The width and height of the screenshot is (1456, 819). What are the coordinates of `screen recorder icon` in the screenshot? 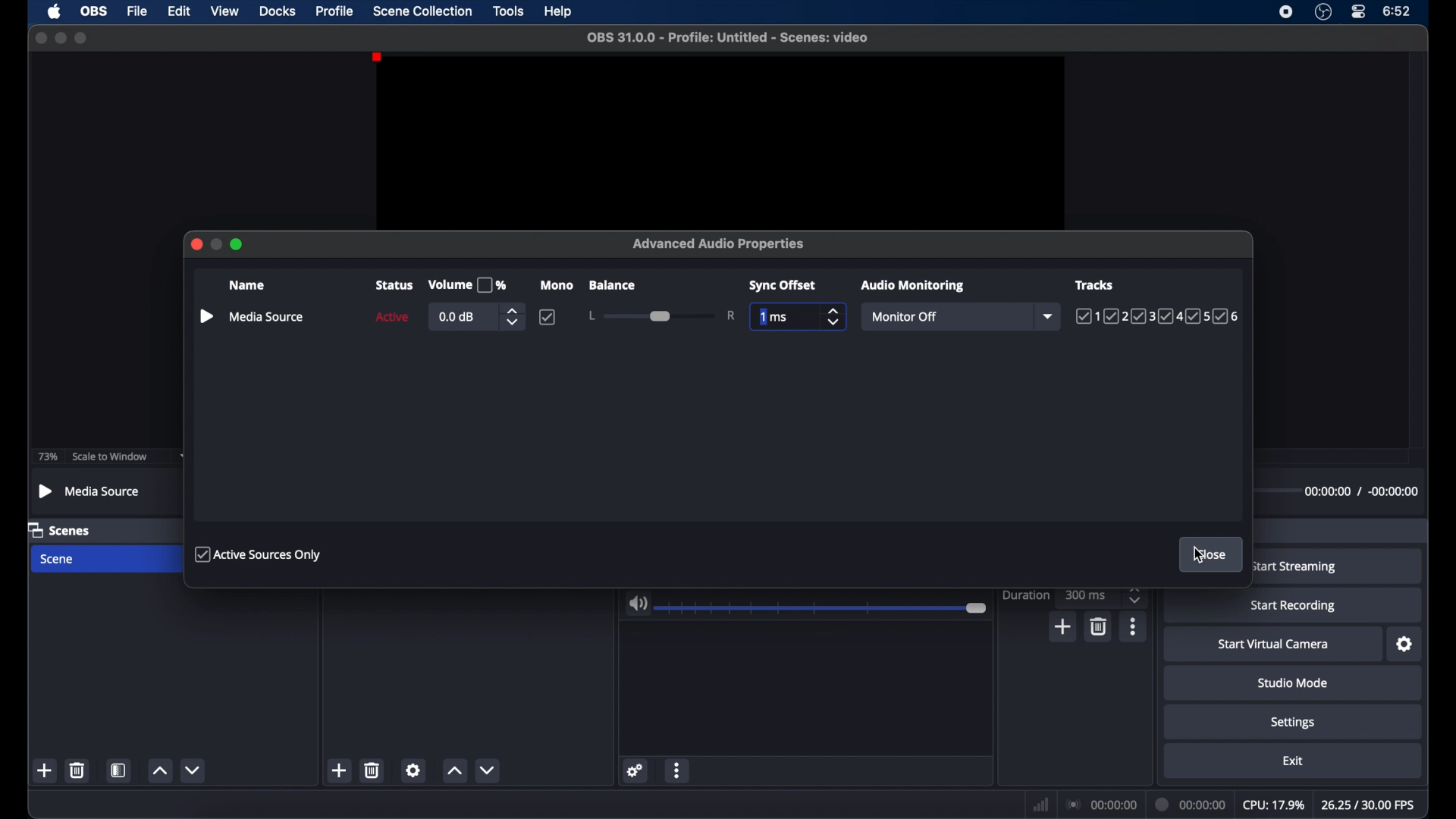 It's located at (1286, 11).